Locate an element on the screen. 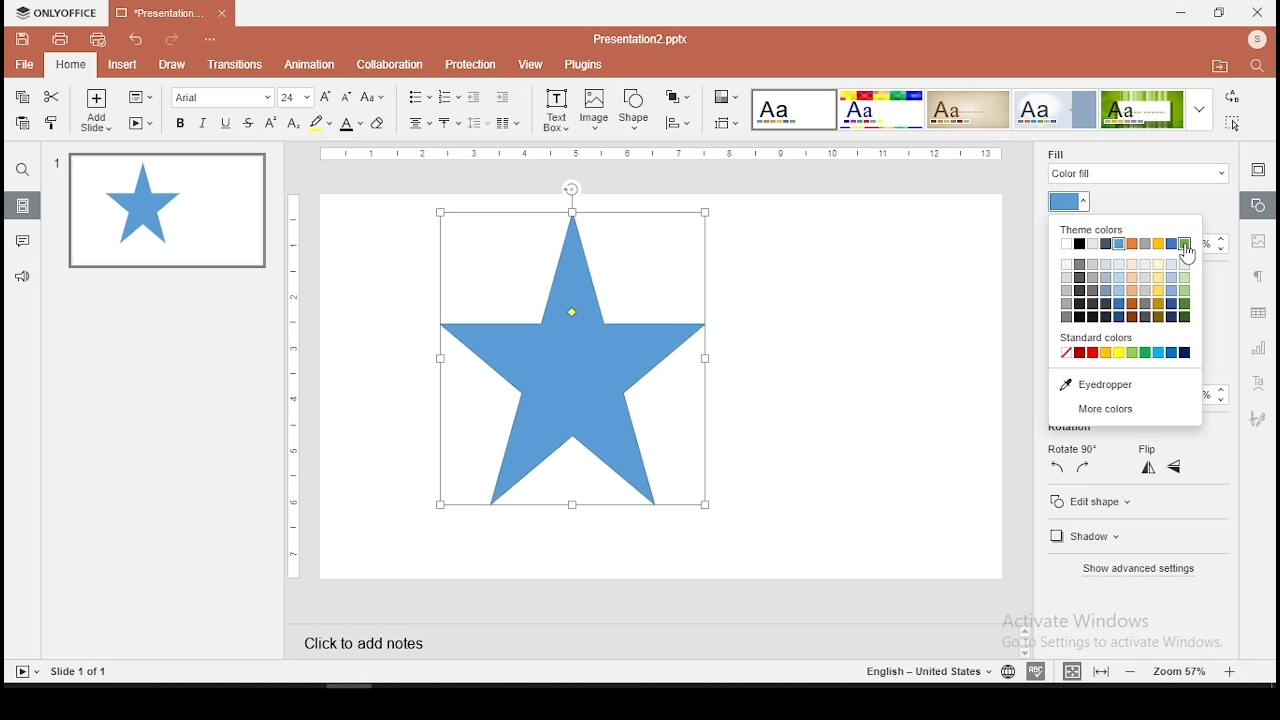 The width and height of the screenshot is (1280, 720). flip horizontal is located at coordinates (1148, 467).